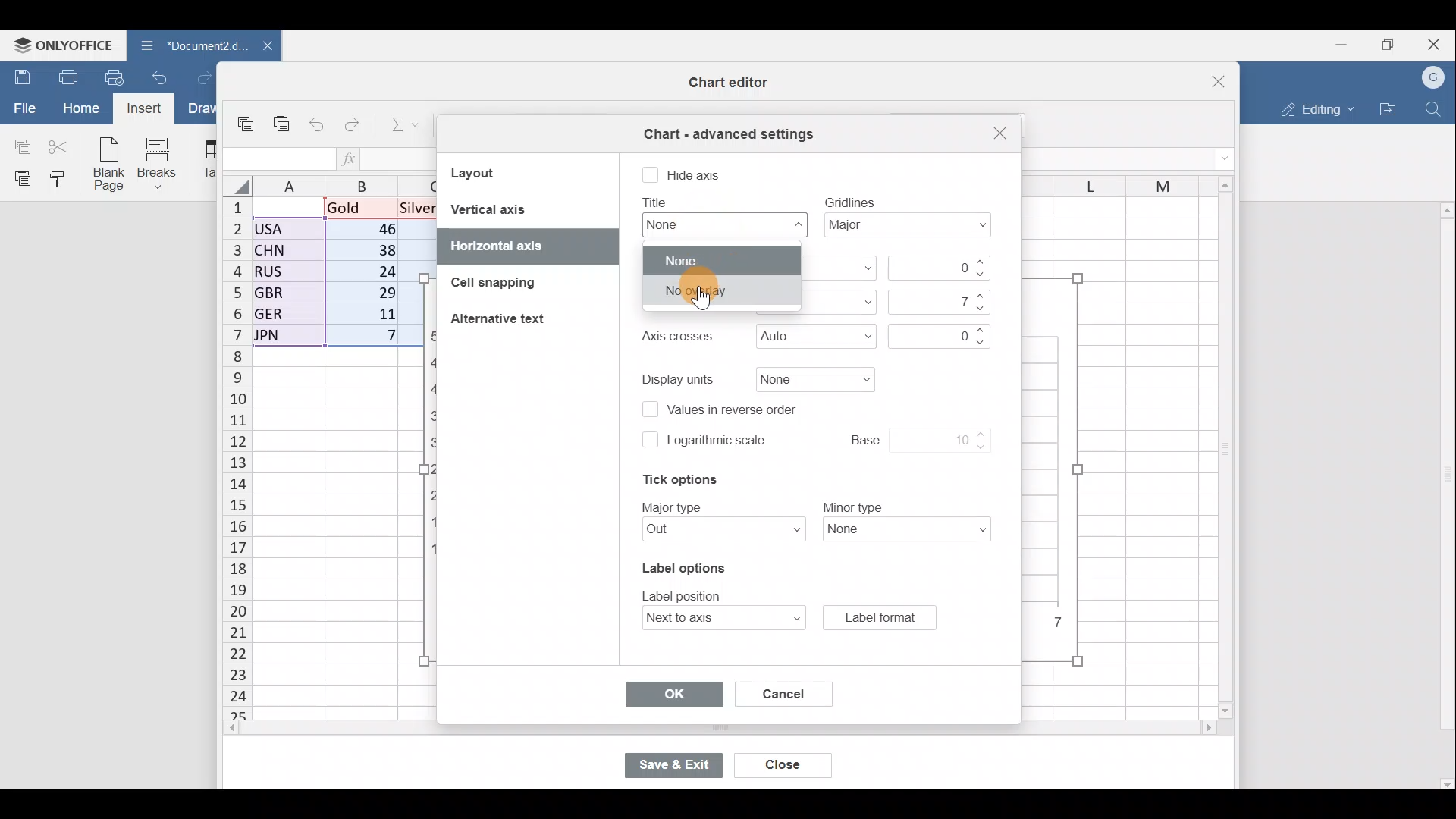  I want to click on checkbox, so click(648, 439).